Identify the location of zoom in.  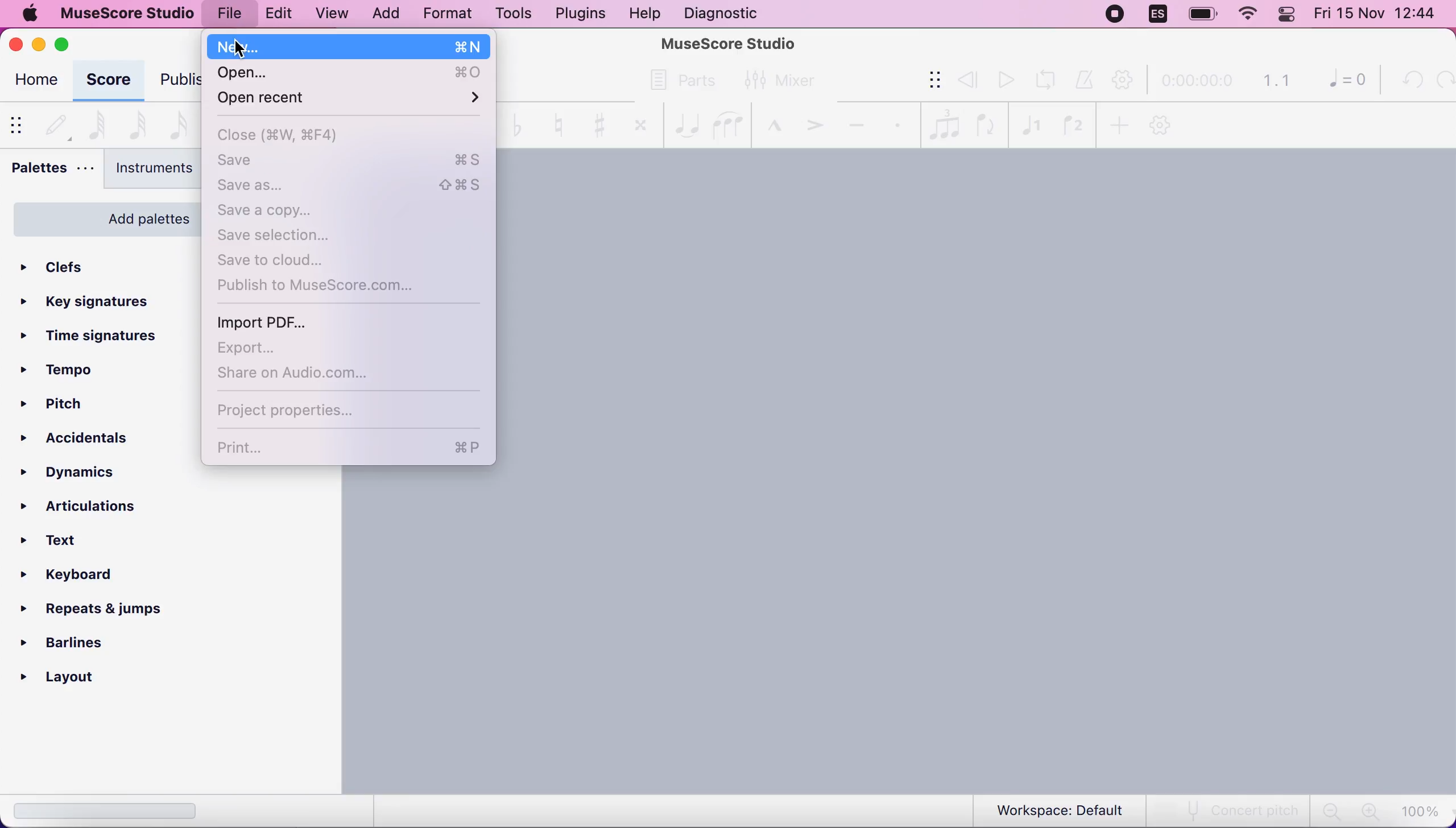
(1368, 812).